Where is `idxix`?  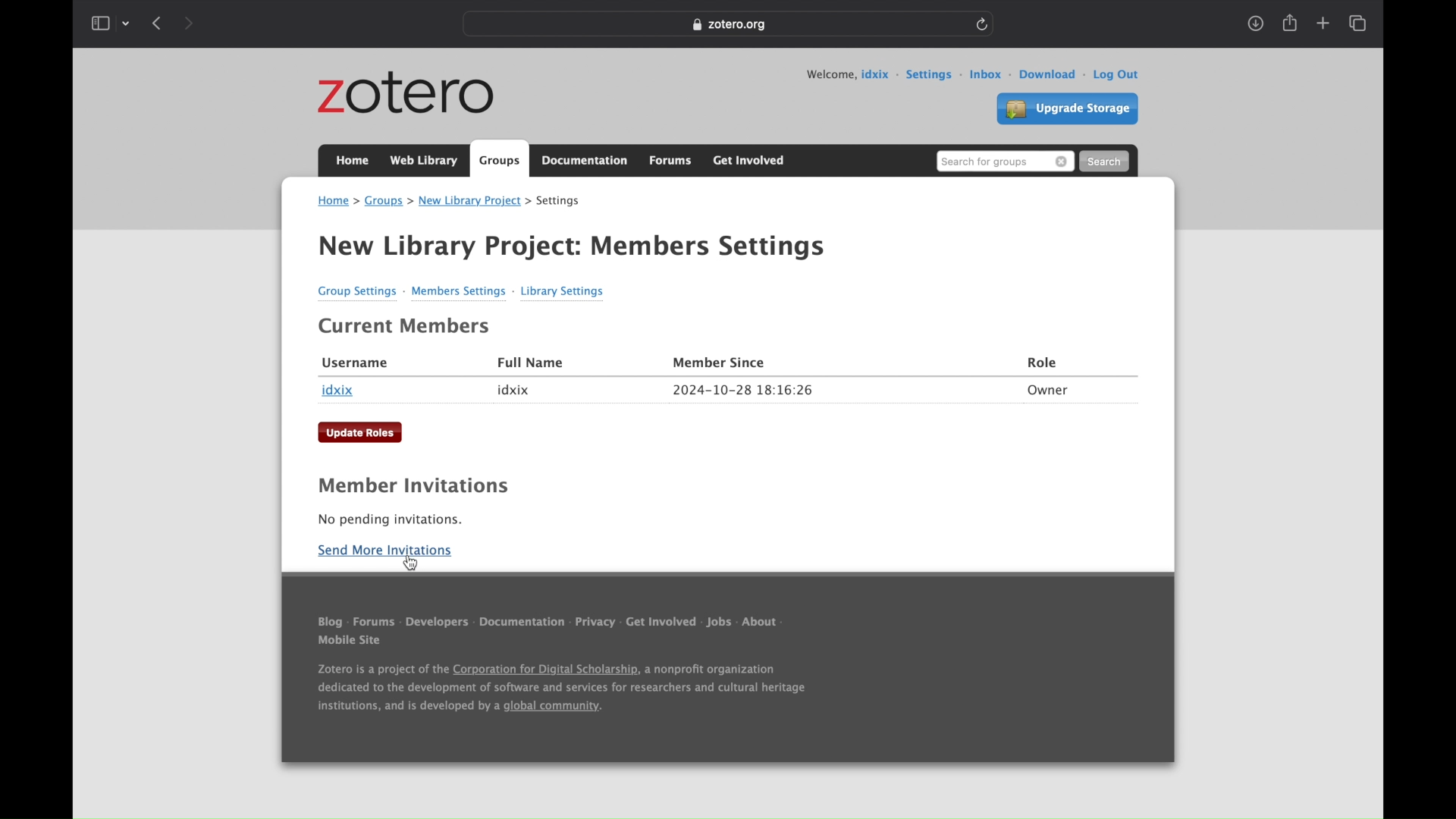 idxix is located at coordinates (338, 391).